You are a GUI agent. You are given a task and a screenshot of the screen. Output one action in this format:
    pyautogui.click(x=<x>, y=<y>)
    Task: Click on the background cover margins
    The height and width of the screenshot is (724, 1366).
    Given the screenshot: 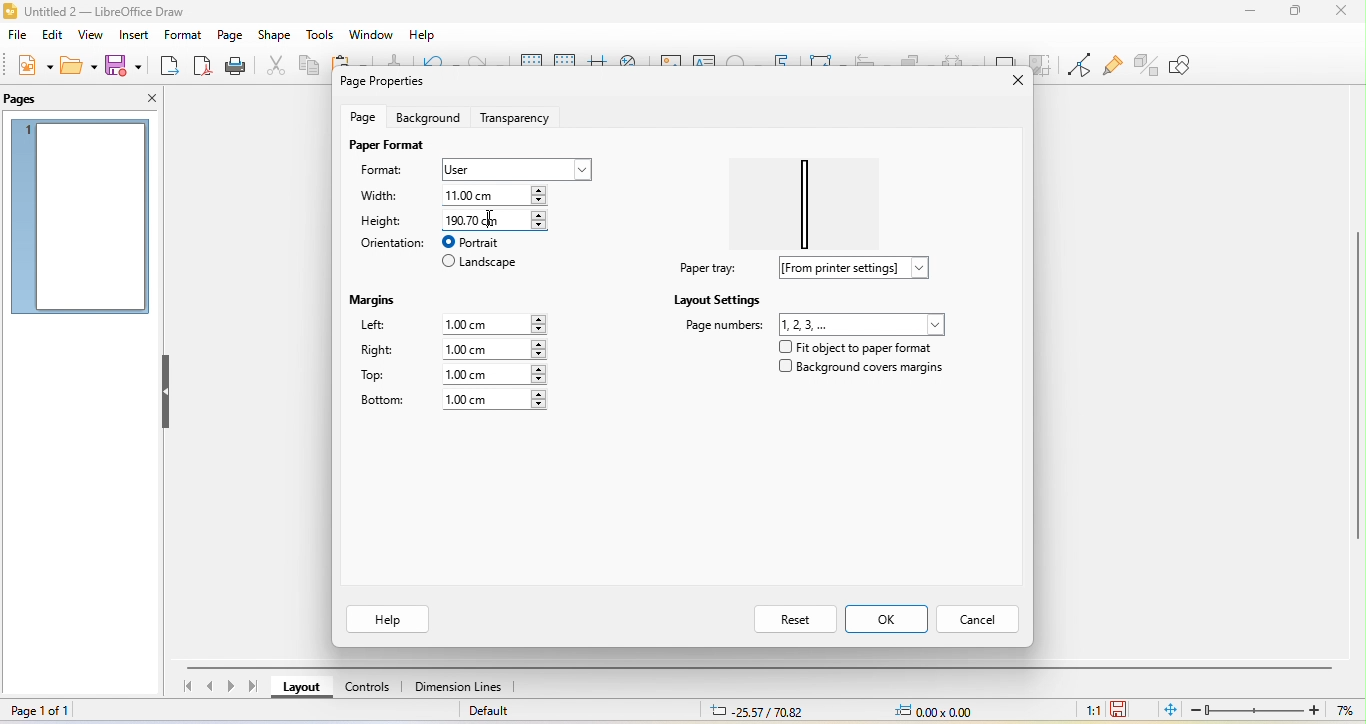 What is the action you would take?
    pyautogui.click(x=862, y=371)
    